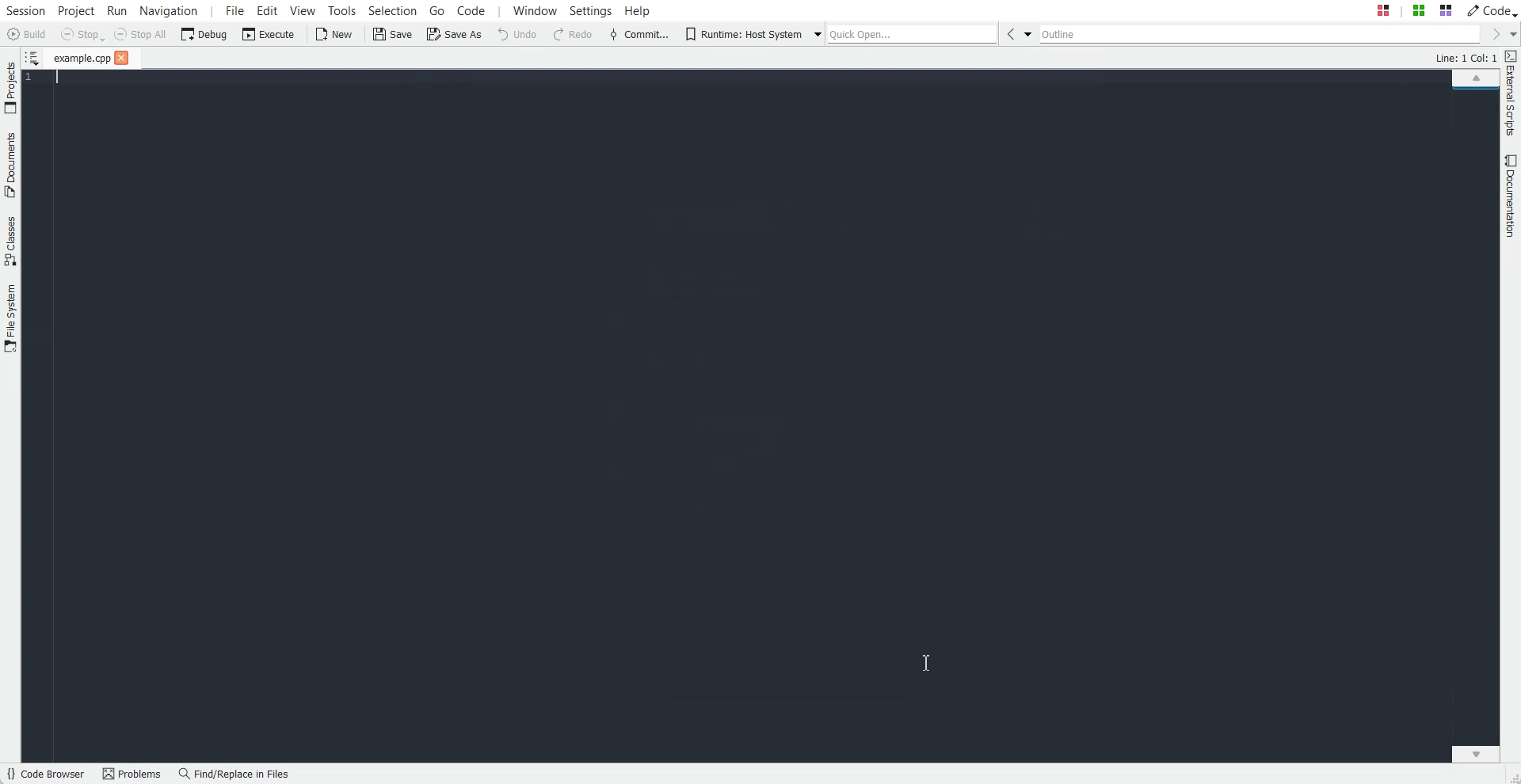  I want to click on Find/Replace in files, so click(238, 774).